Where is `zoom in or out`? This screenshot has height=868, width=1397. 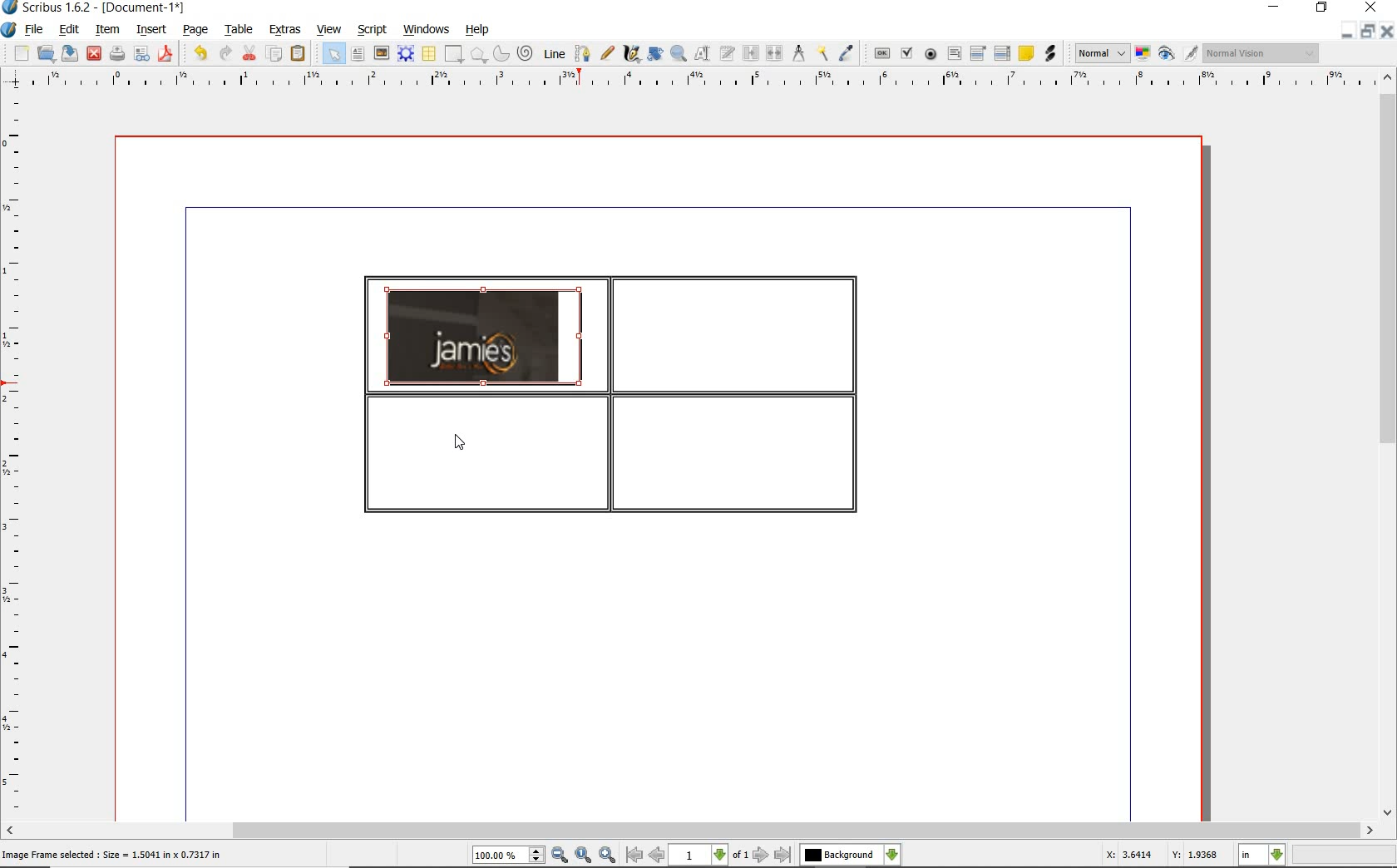
zoom in or out is located at coordinates (678, 54).